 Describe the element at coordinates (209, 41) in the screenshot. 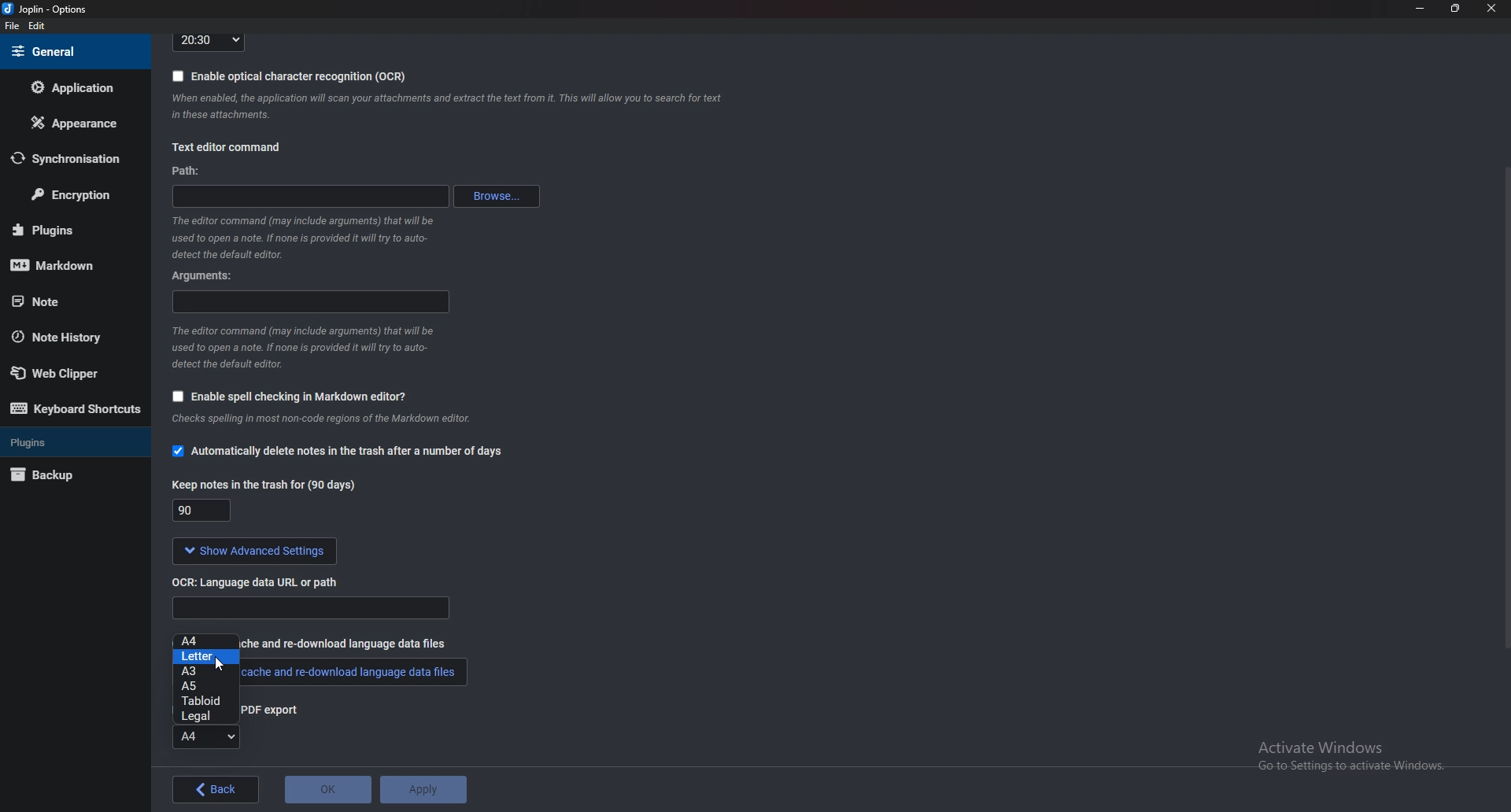

I see `Time format` at that location.